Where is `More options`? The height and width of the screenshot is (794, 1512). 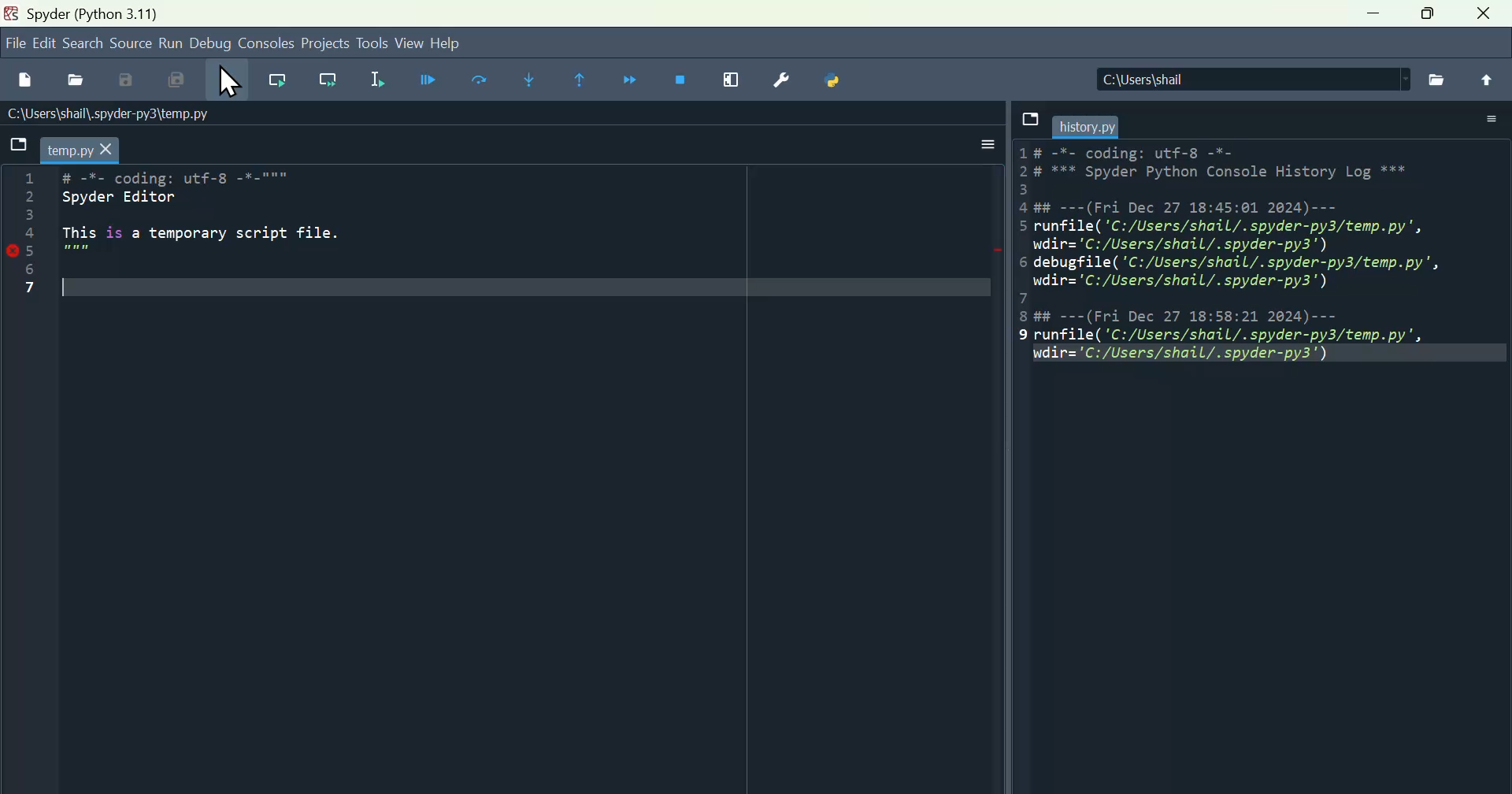 More options is located at coordinates (973, 147).